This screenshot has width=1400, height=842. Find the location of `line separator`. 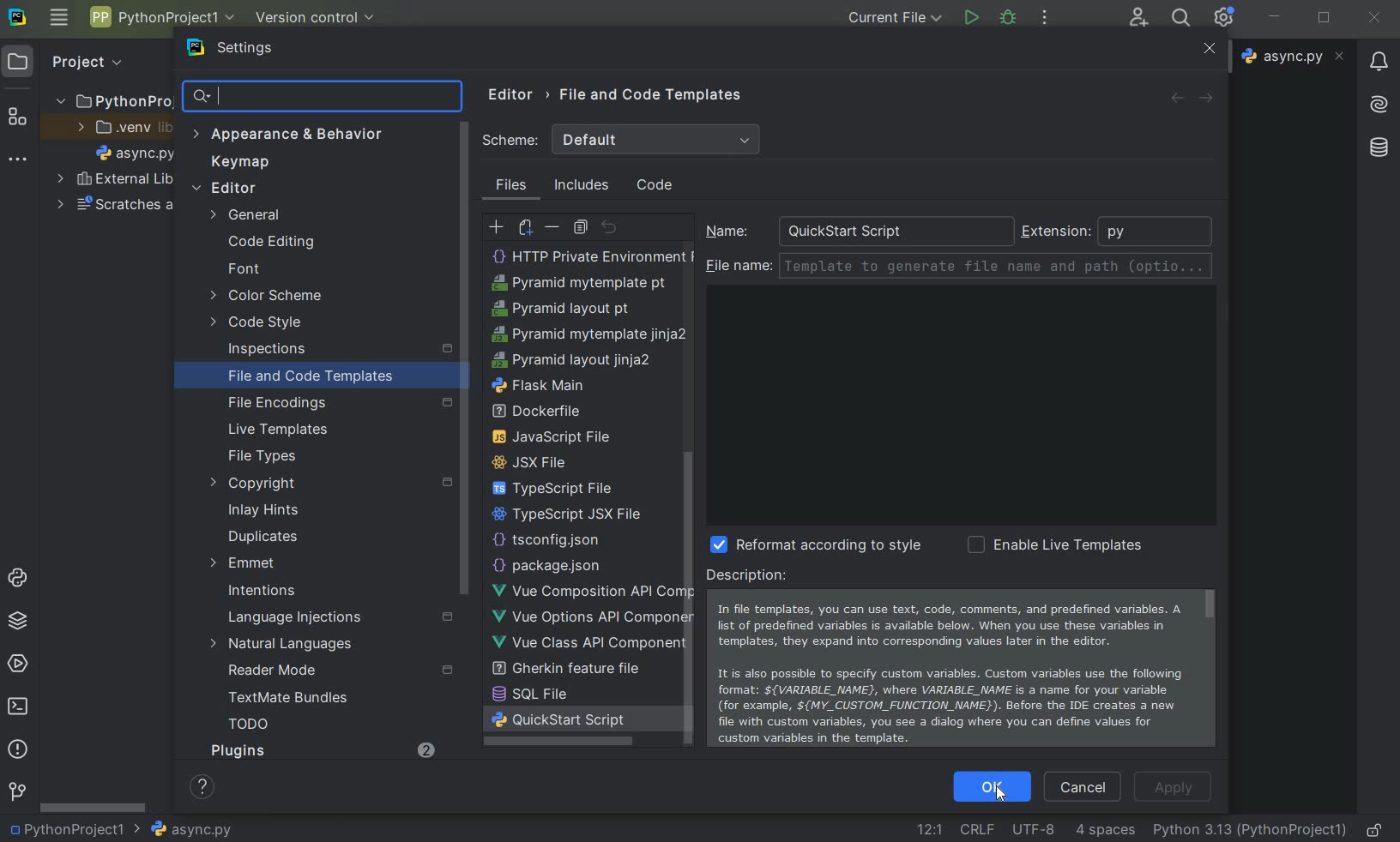

line separator is located at coordinates (979, 828).